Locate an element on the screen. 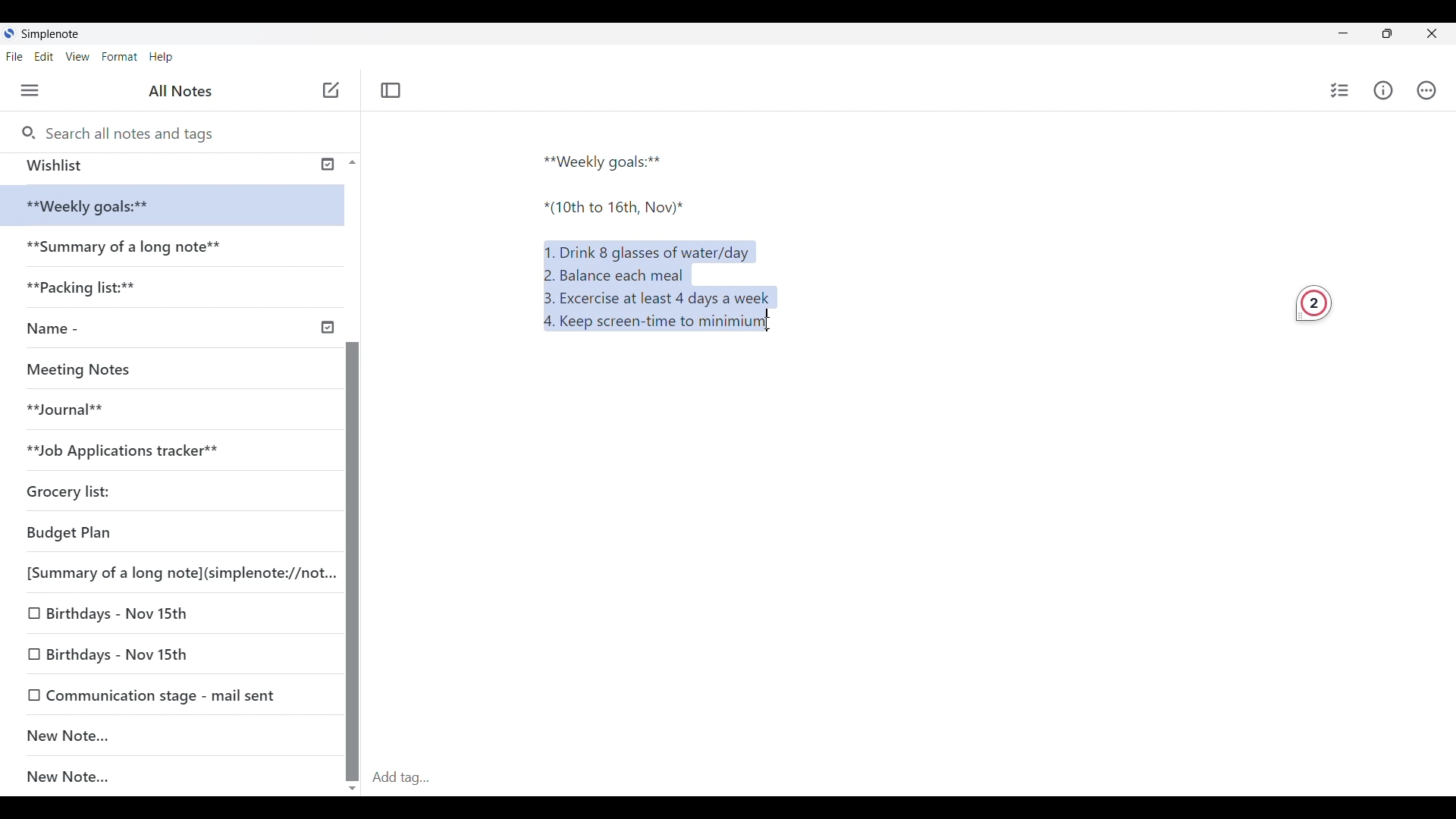  Edit is located at coordinates (49, 58).